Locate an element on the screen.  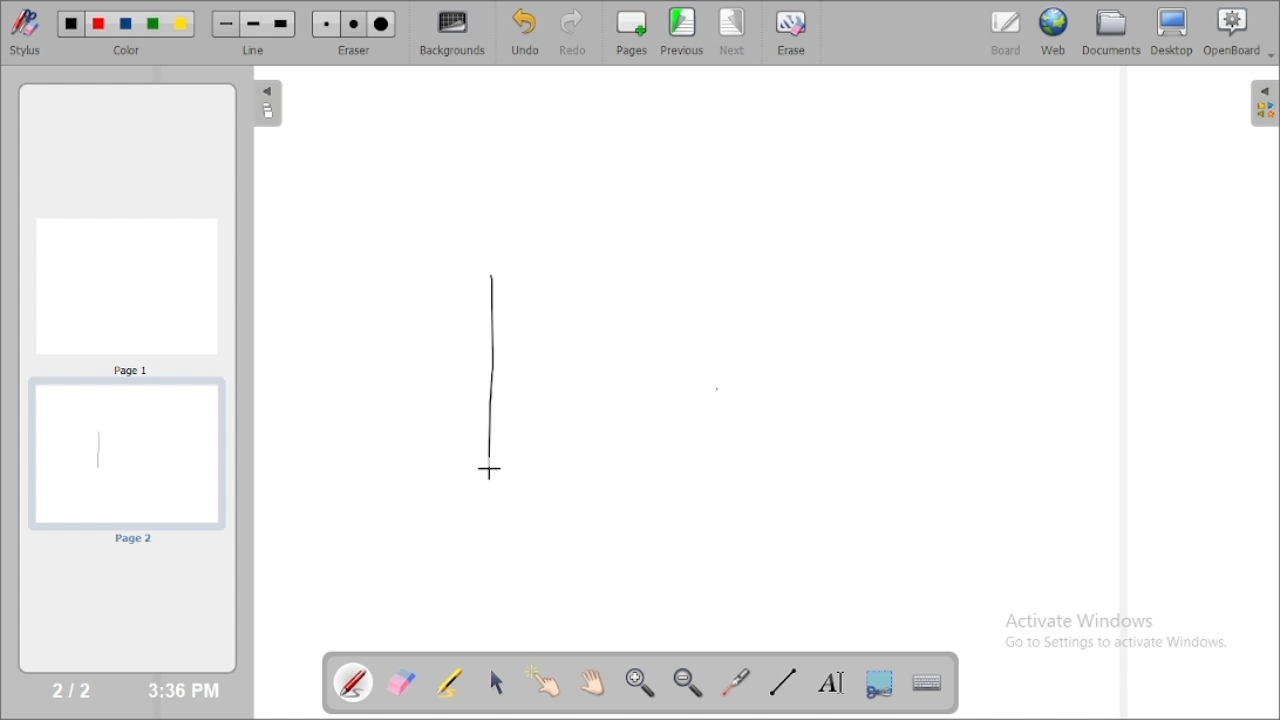
backgrounds is located at coordinates (454, 33).